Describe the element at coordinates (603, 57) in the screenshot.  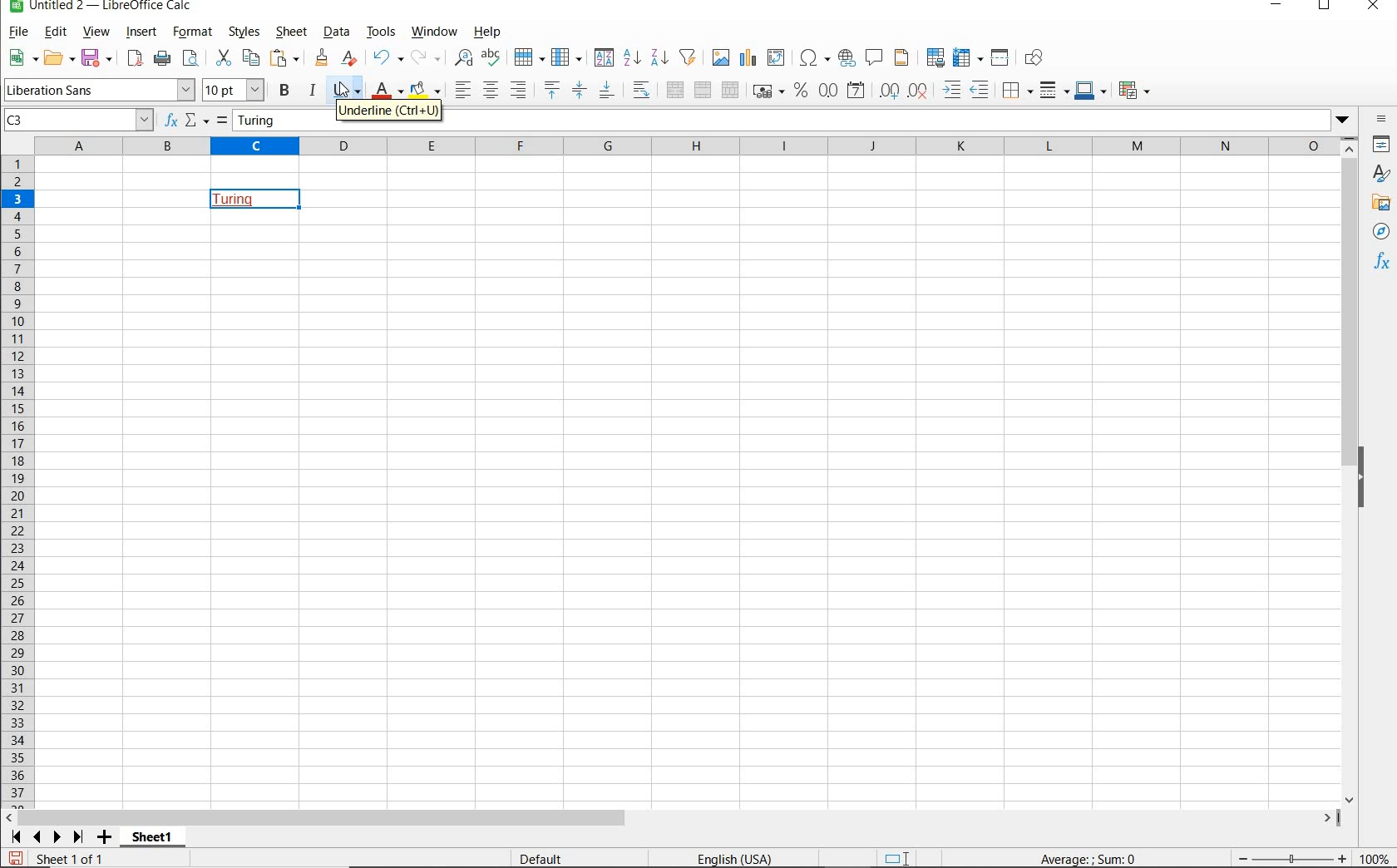
I see `SORT` at that location.